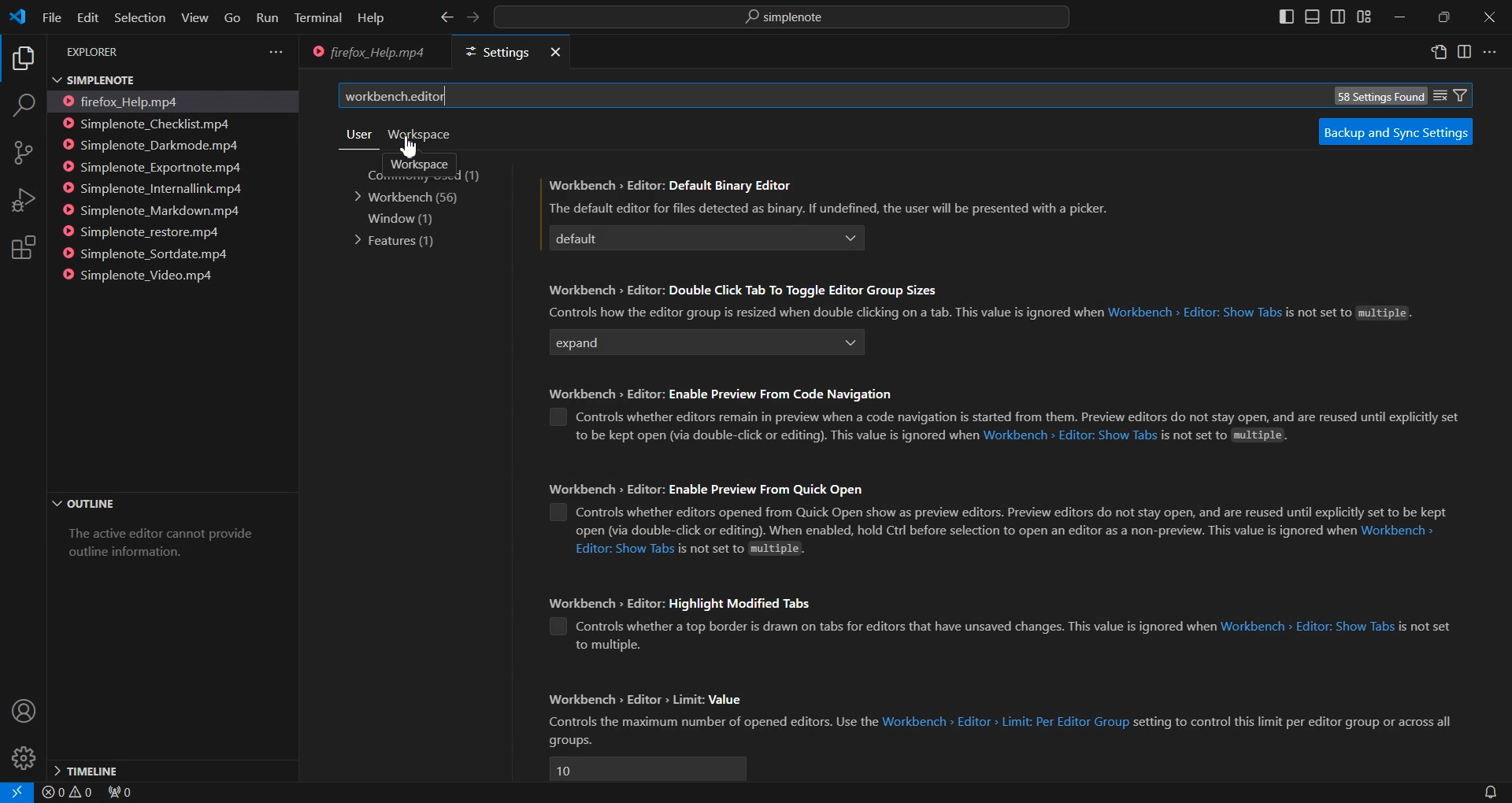 The image size is (1512, 803). Describe the element at coordinates (1464, 52) in the screenshot. I see `Split editor right` at that location.